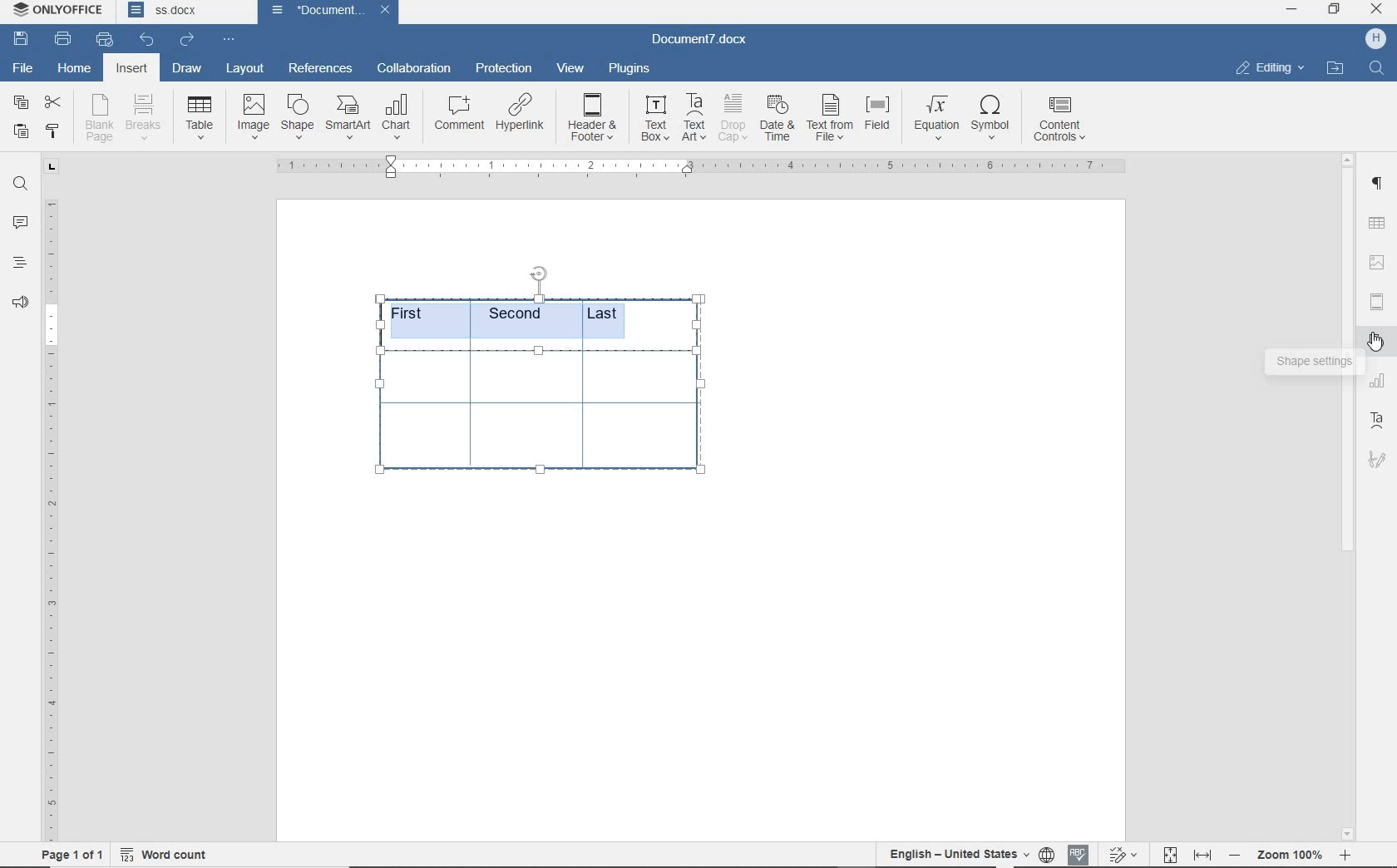 This screenshot has height=868, width=1397. Describe the element at coordinates (1046, 852) in the screenshot. I see `set document language` at that location.